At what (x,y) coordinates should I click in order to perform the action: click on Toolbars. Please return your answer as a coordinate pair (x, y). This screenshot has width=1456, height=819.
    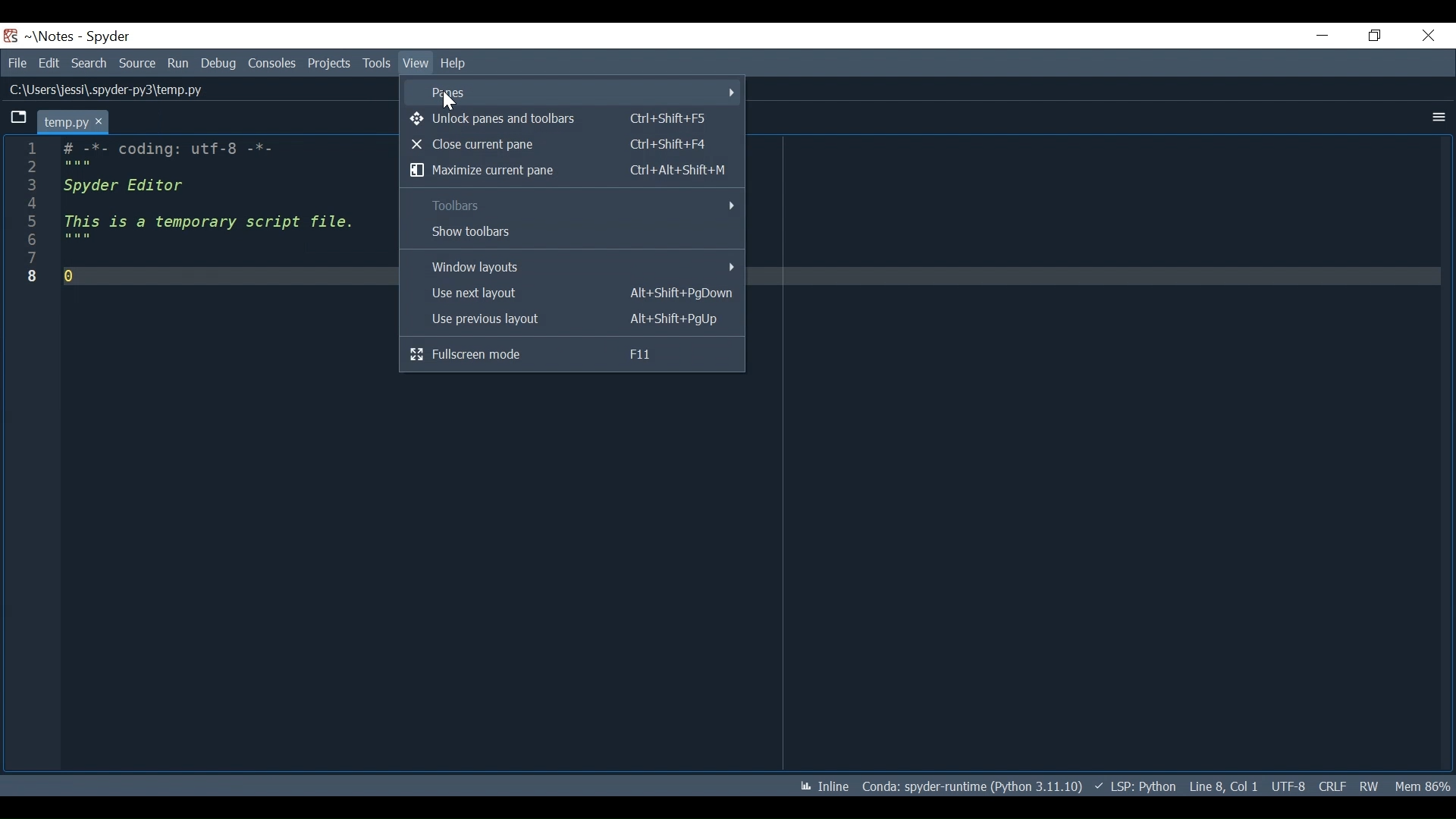
    Looking at the image, I should click on (571, 206).